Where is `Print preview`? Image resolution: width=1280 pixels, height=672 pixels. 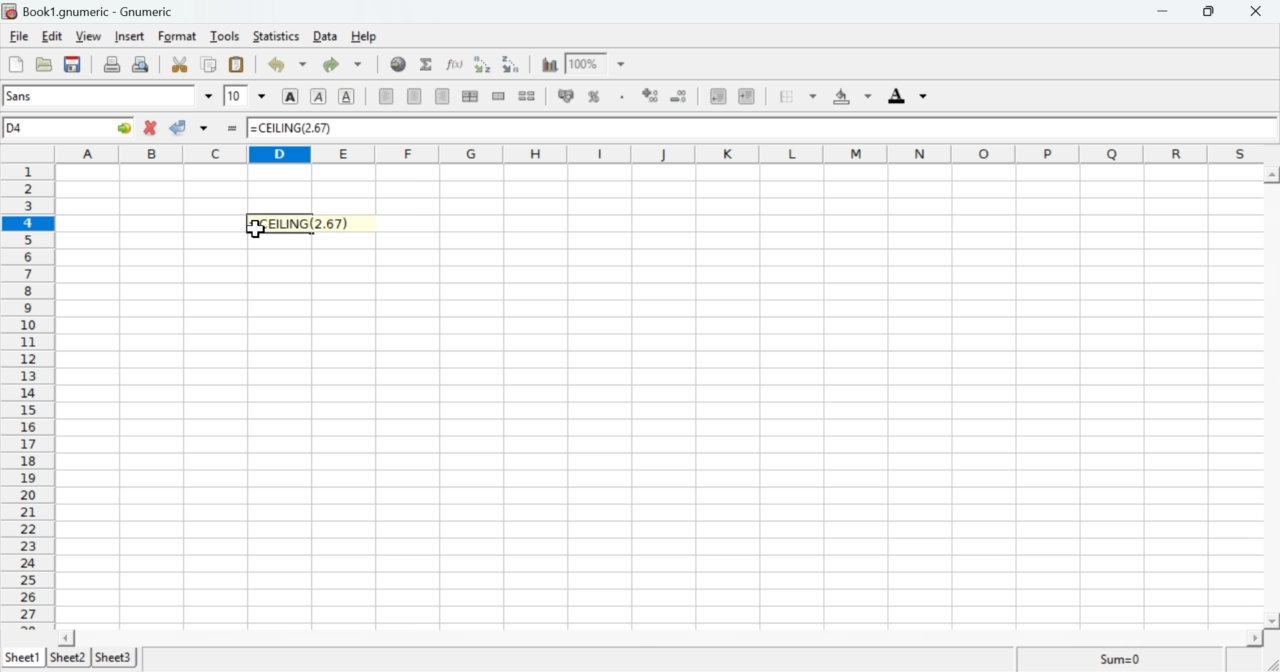
Print preview is located at coordinates (143, 64).